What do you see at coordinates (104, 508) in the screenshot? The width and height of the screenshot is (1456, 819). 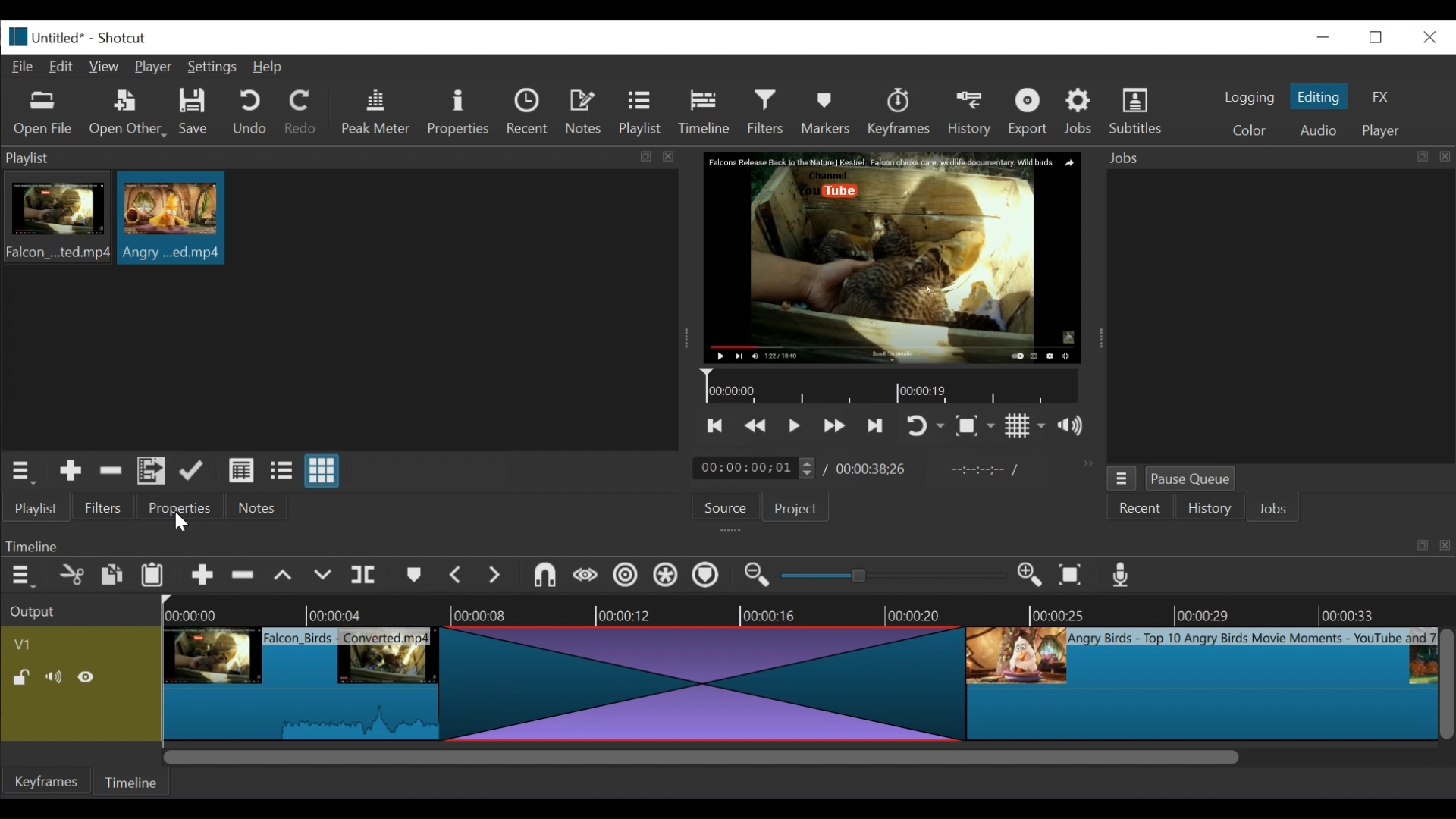 I see `Filters` at bounding box center [104, 508].